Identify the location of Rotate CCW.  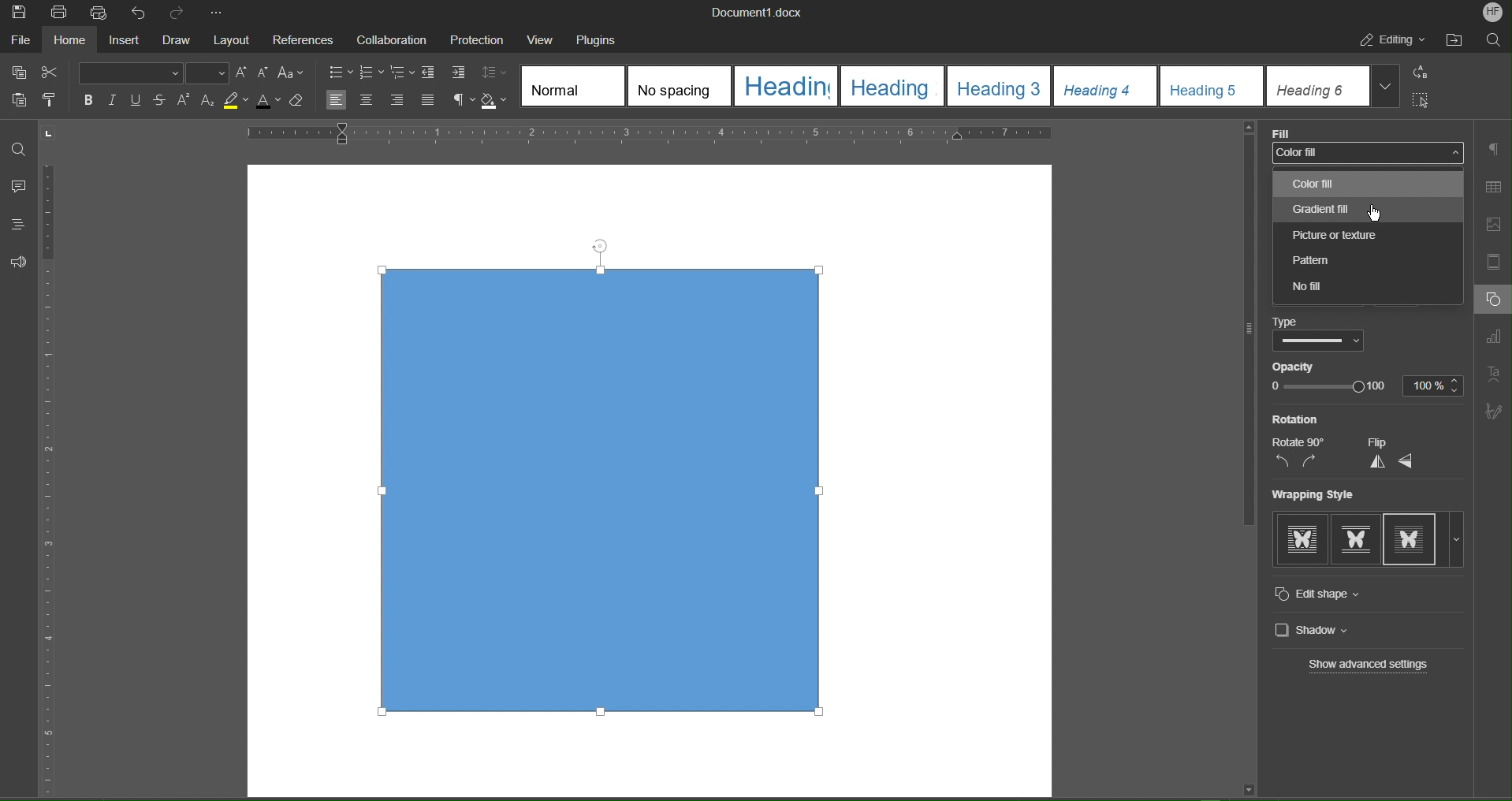
(1281, 463).